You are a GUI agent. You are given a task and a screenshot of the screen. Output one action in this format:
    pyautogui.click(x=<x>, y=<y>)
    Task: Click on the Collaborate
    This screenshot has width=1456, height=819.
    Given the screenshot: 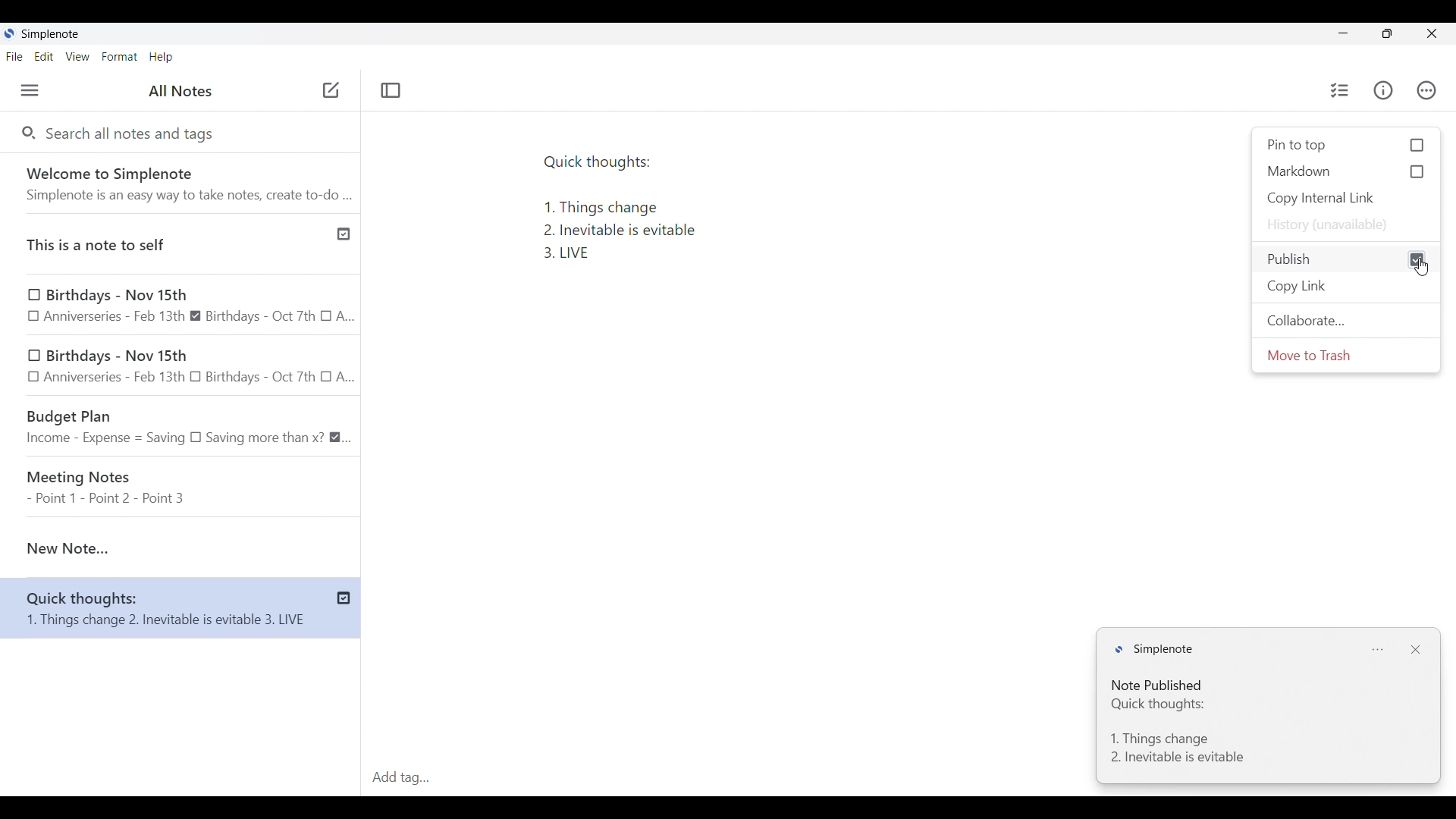 What is the action you would take?
    pyautogui.click(x=1346, y=321)
    